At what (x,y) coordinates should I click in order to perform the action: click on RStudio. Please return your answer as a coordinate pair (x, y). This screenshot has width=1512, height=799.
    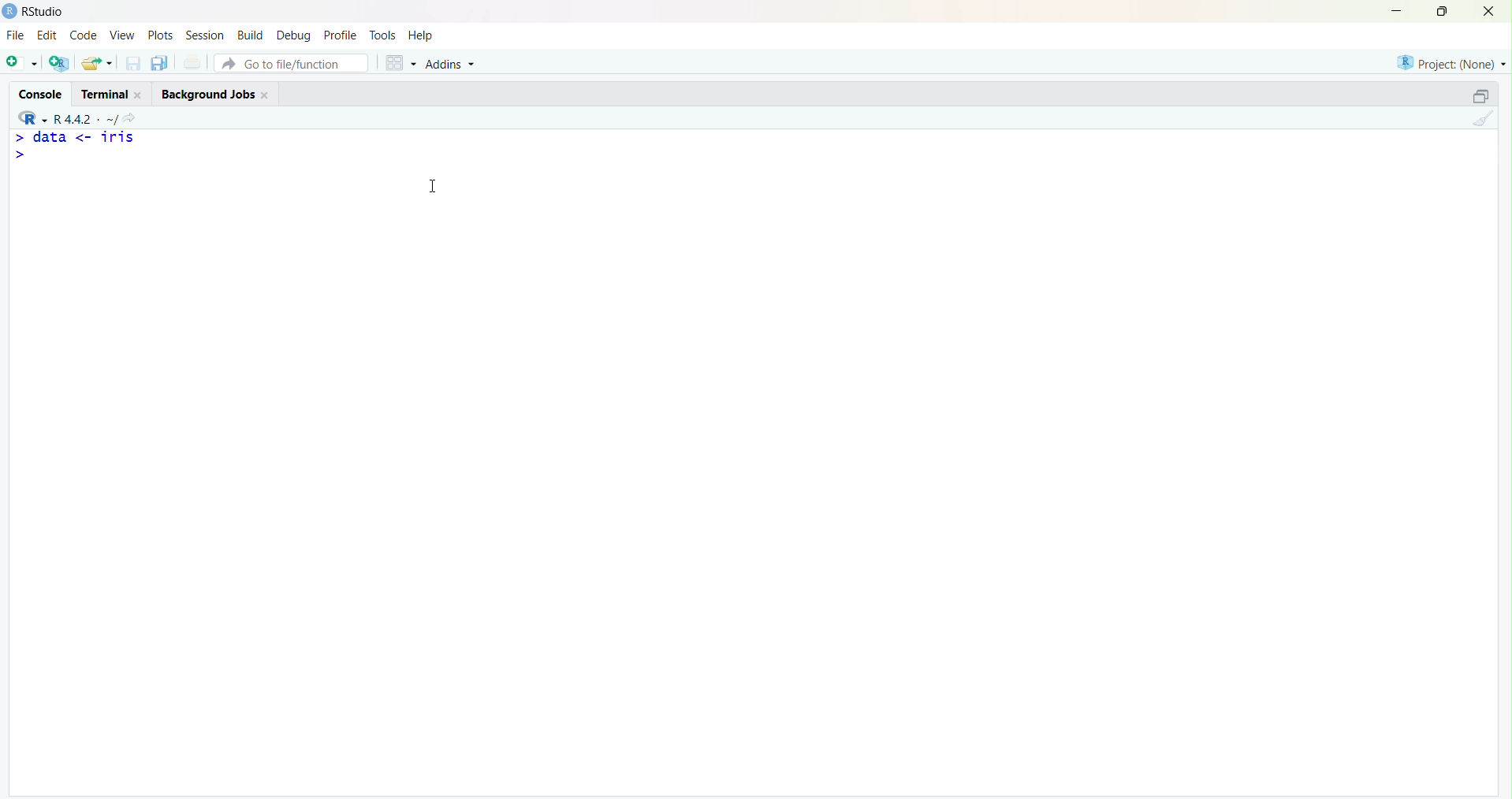
    Looking at the image, I should click on (37, 11).